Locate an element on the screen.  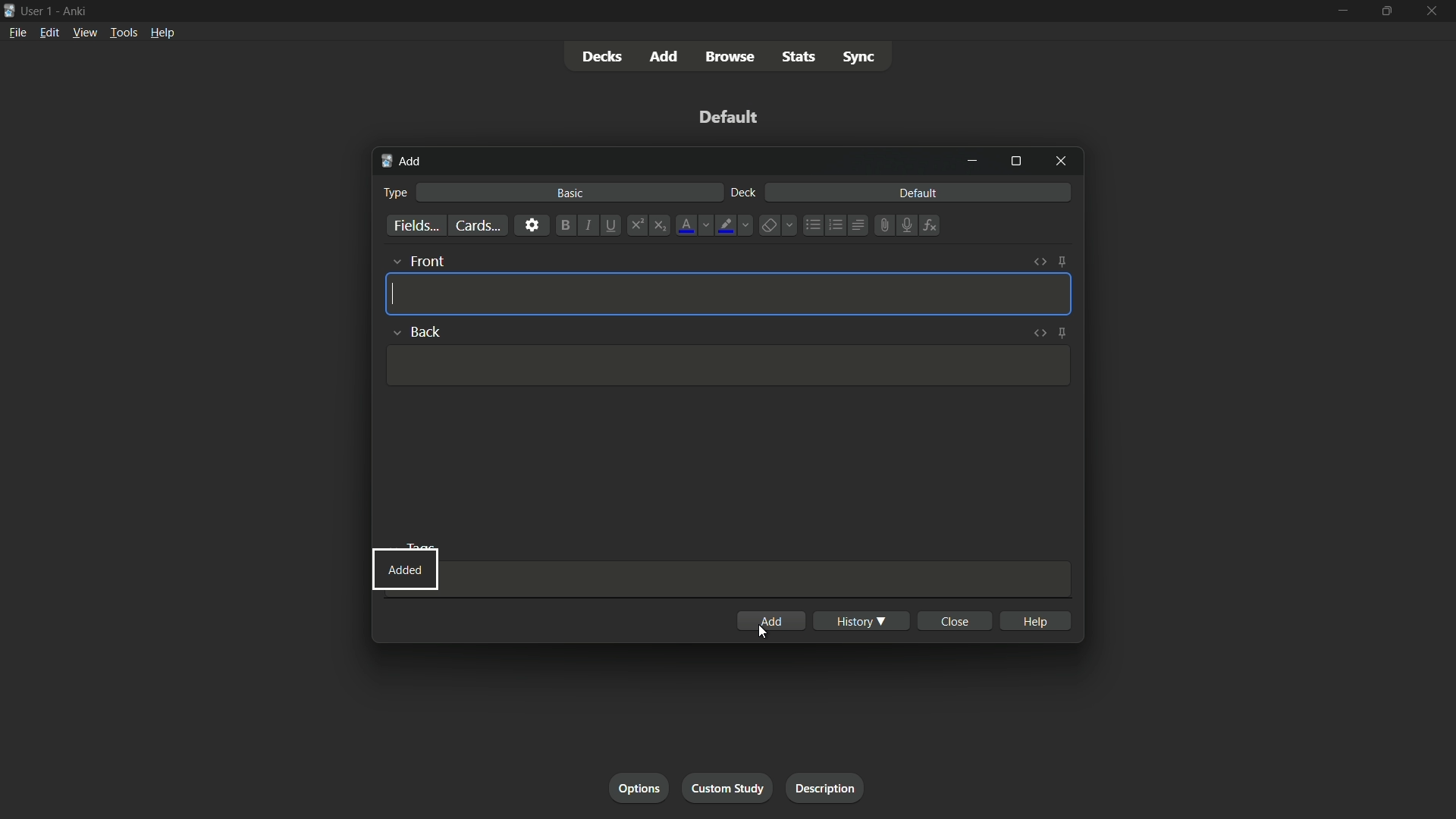
toggle sticky is located at coordinates (1062, 333).